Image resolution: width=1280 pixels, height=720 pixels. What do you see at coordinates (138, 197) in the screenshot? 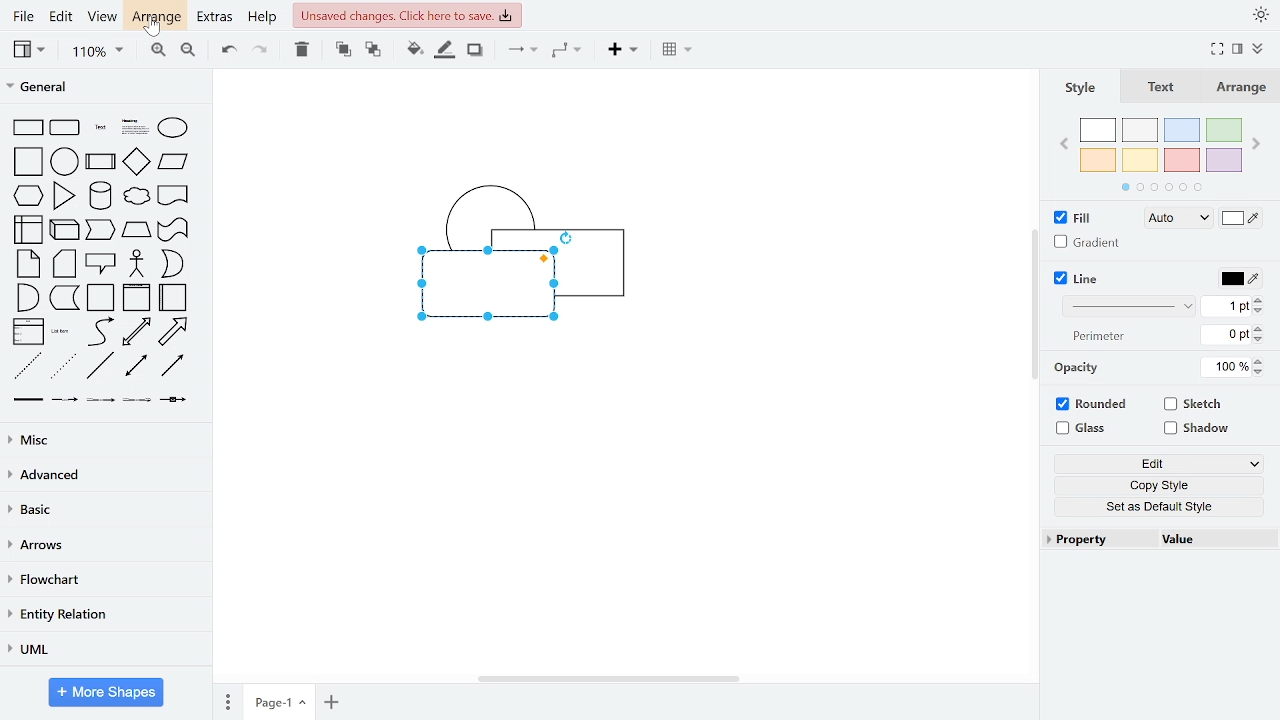
I see `cloud` at bounding box center [138, 197].